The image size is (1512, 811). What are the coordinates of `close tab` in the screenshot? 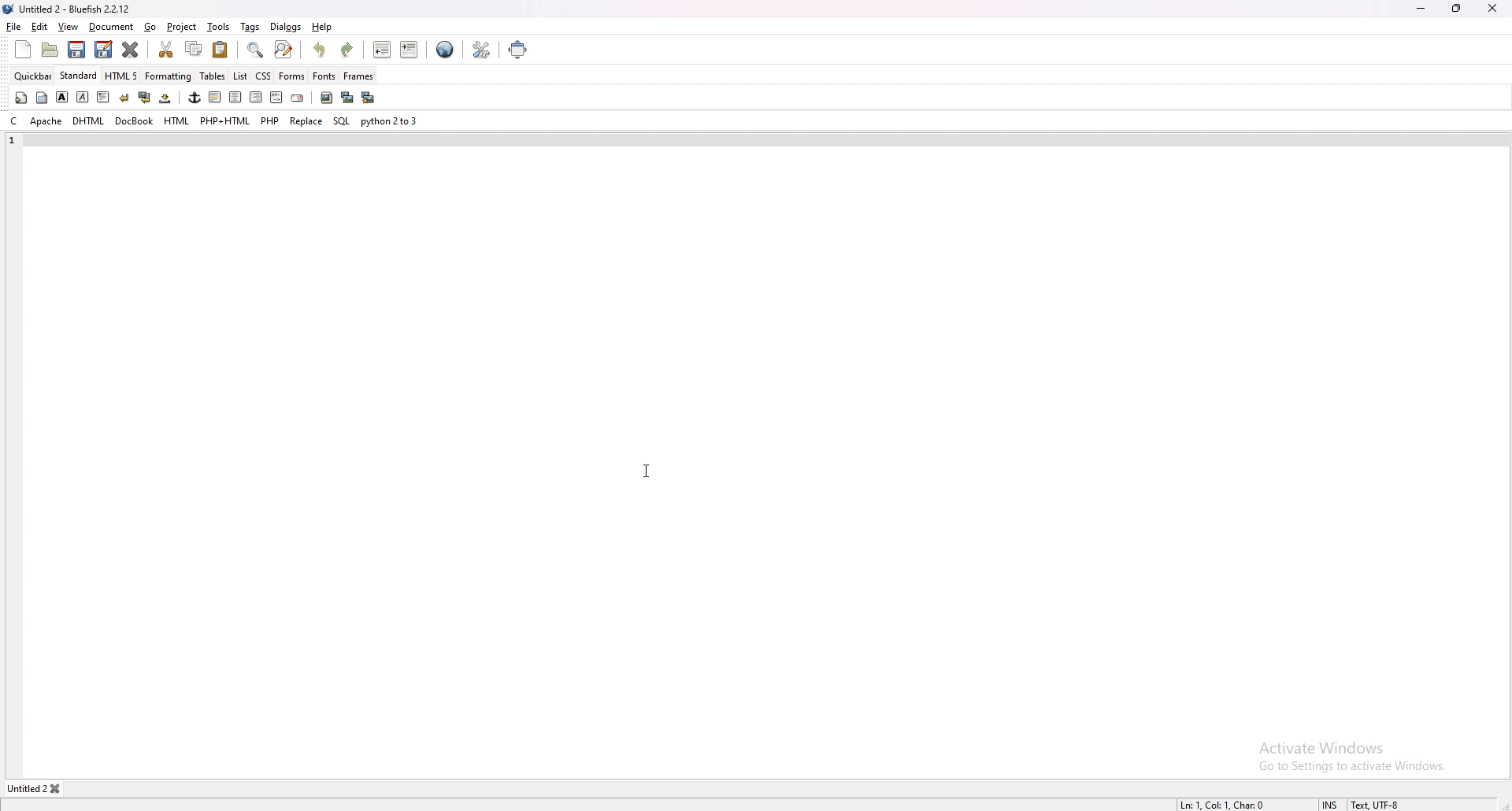 It's located at (60, 788).